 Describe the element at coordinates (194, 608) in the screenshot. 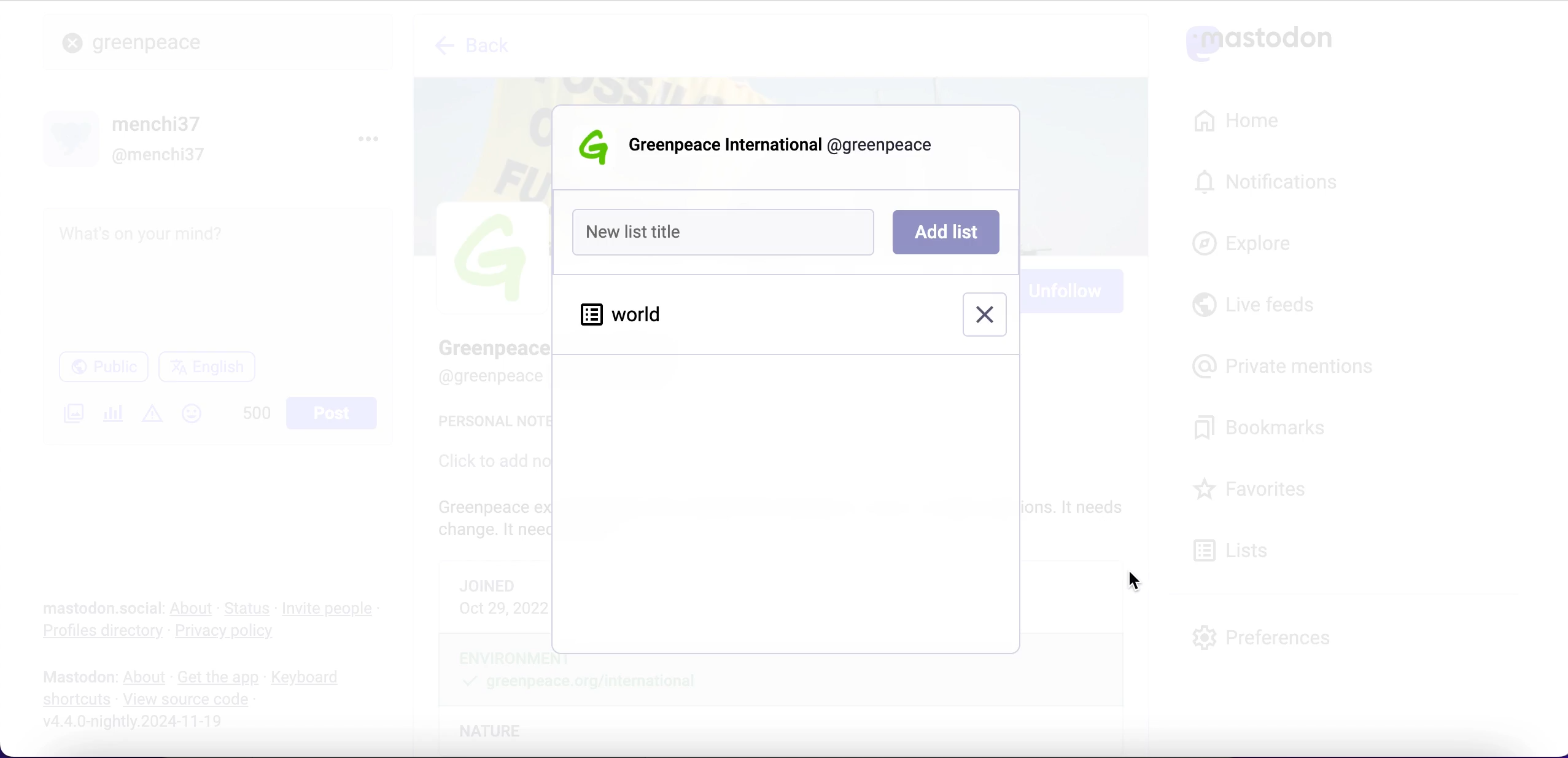

I see `about` at that location.